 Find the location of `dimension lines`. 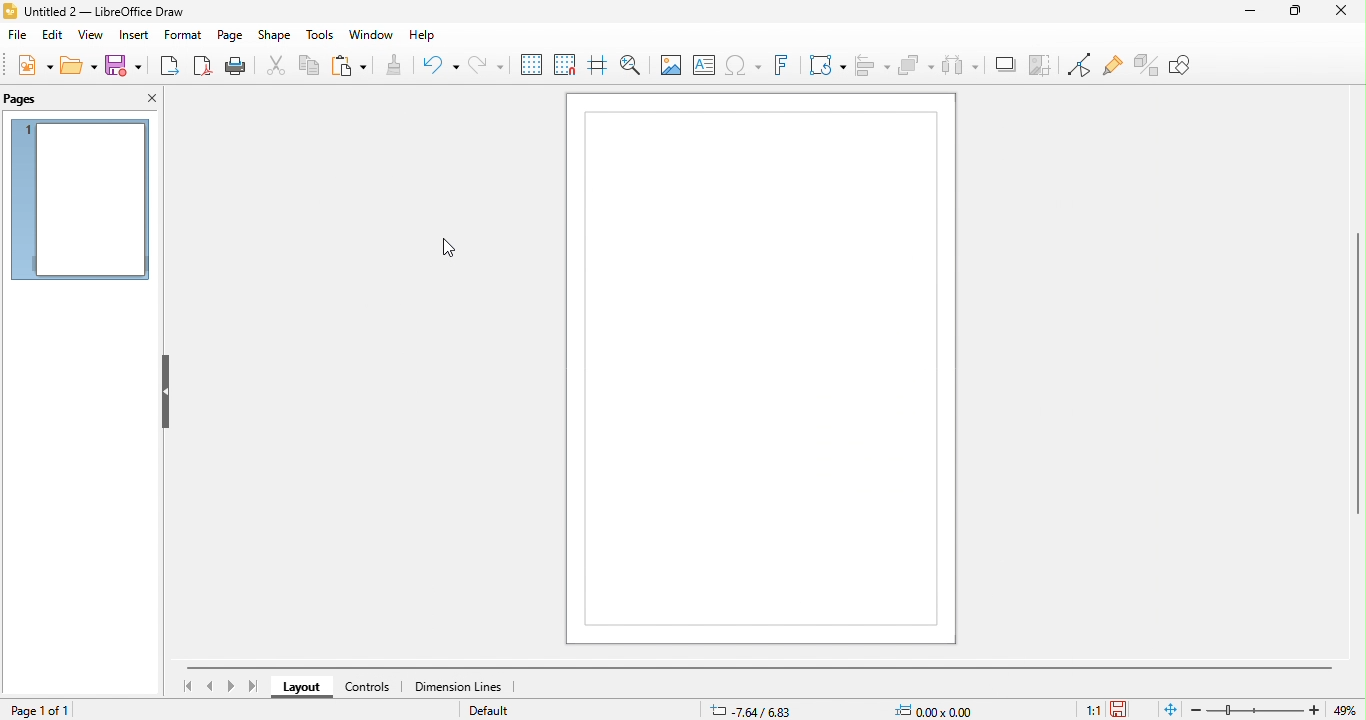

dimension lines is located at coordinates (462, 689).